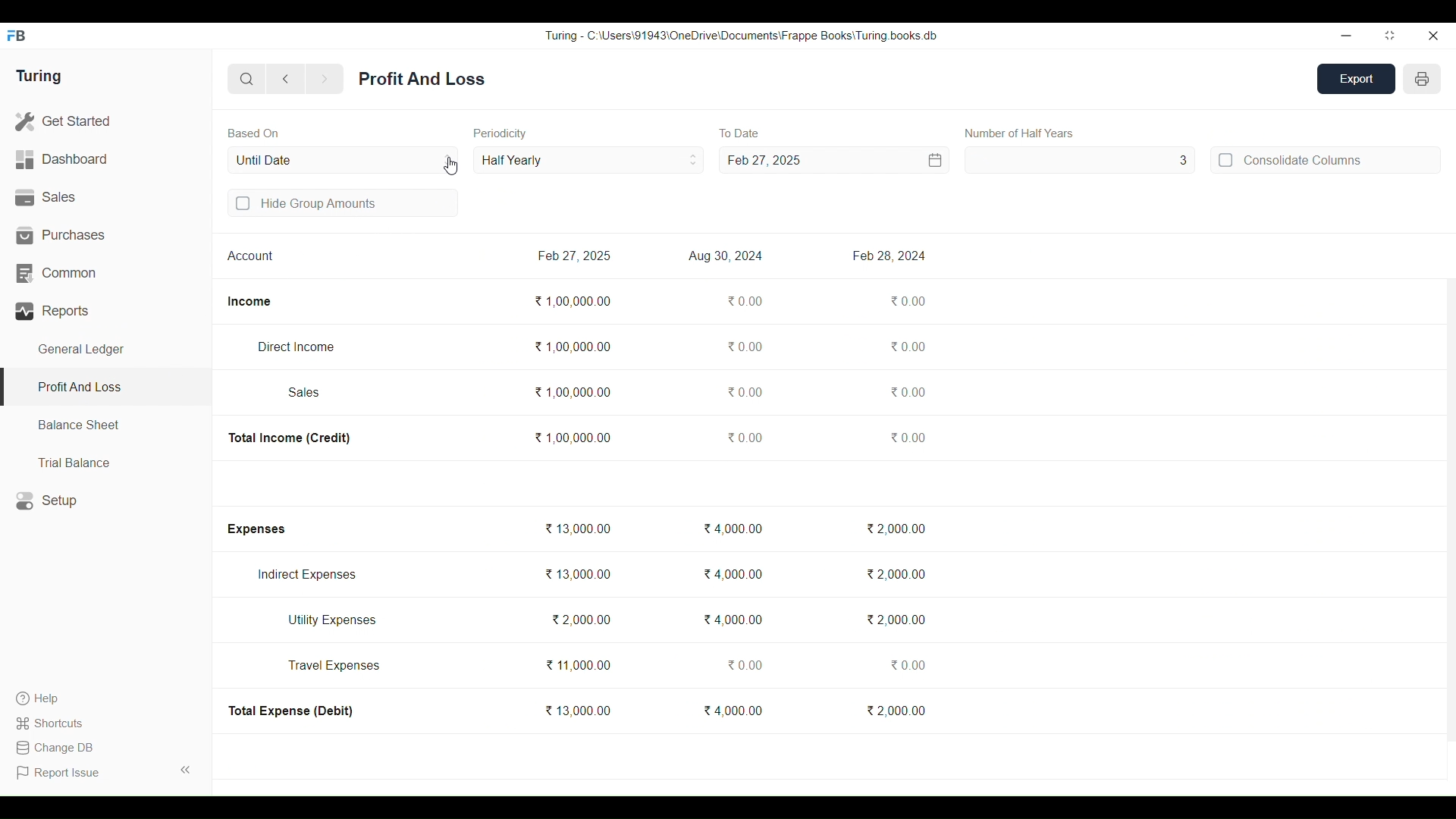 The width and height of the screenshot is (1456, 819). I want to click on Consolidate Columns, so click(1325, 159).